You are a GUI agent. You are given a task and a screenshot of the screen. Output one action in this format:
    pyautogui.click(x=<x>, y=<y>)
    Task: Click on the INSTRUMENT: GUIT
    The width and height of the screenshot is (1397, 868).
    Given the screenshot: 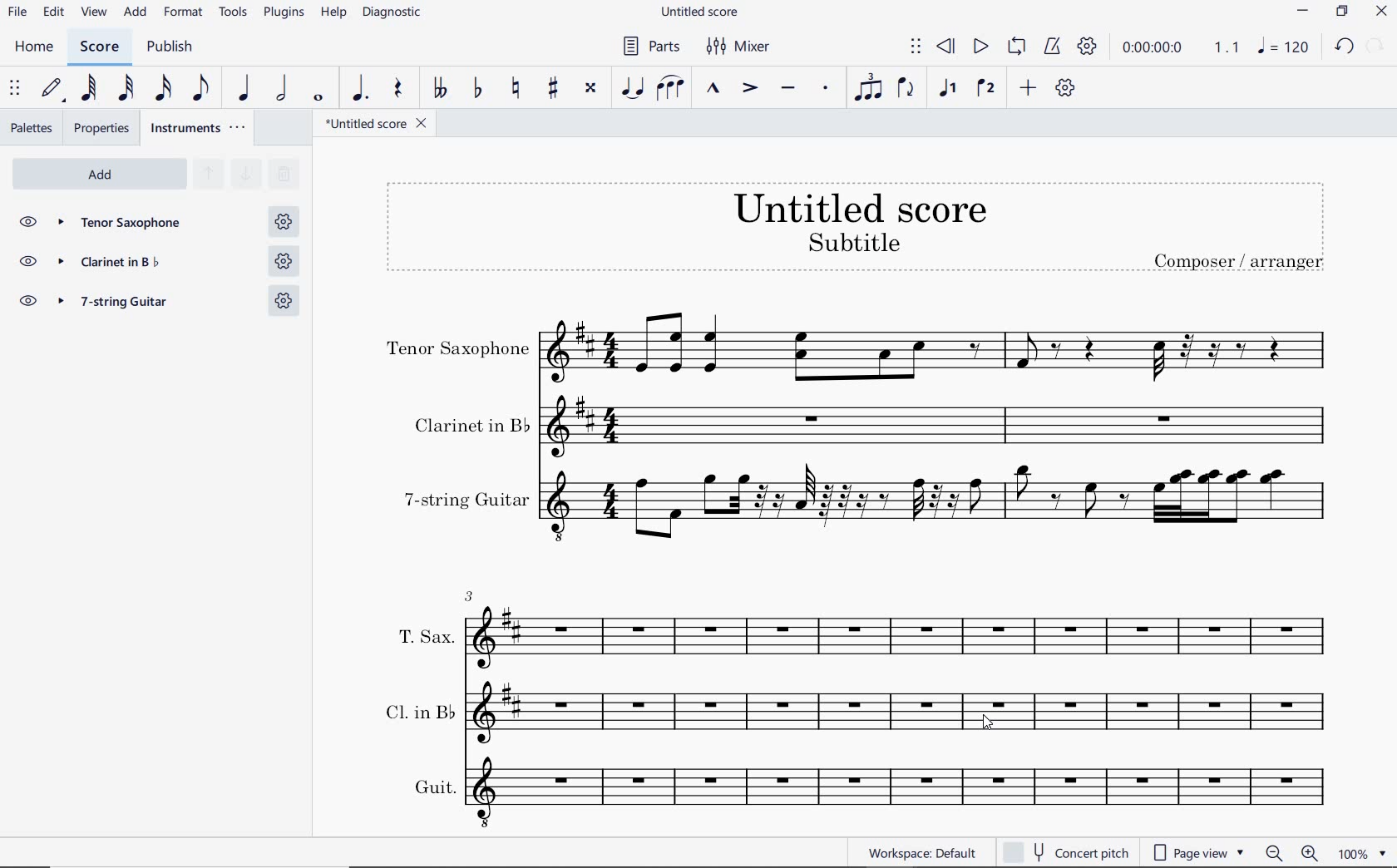 What is the action you would take?
    pyautogui.click(x=855, y=790)
    